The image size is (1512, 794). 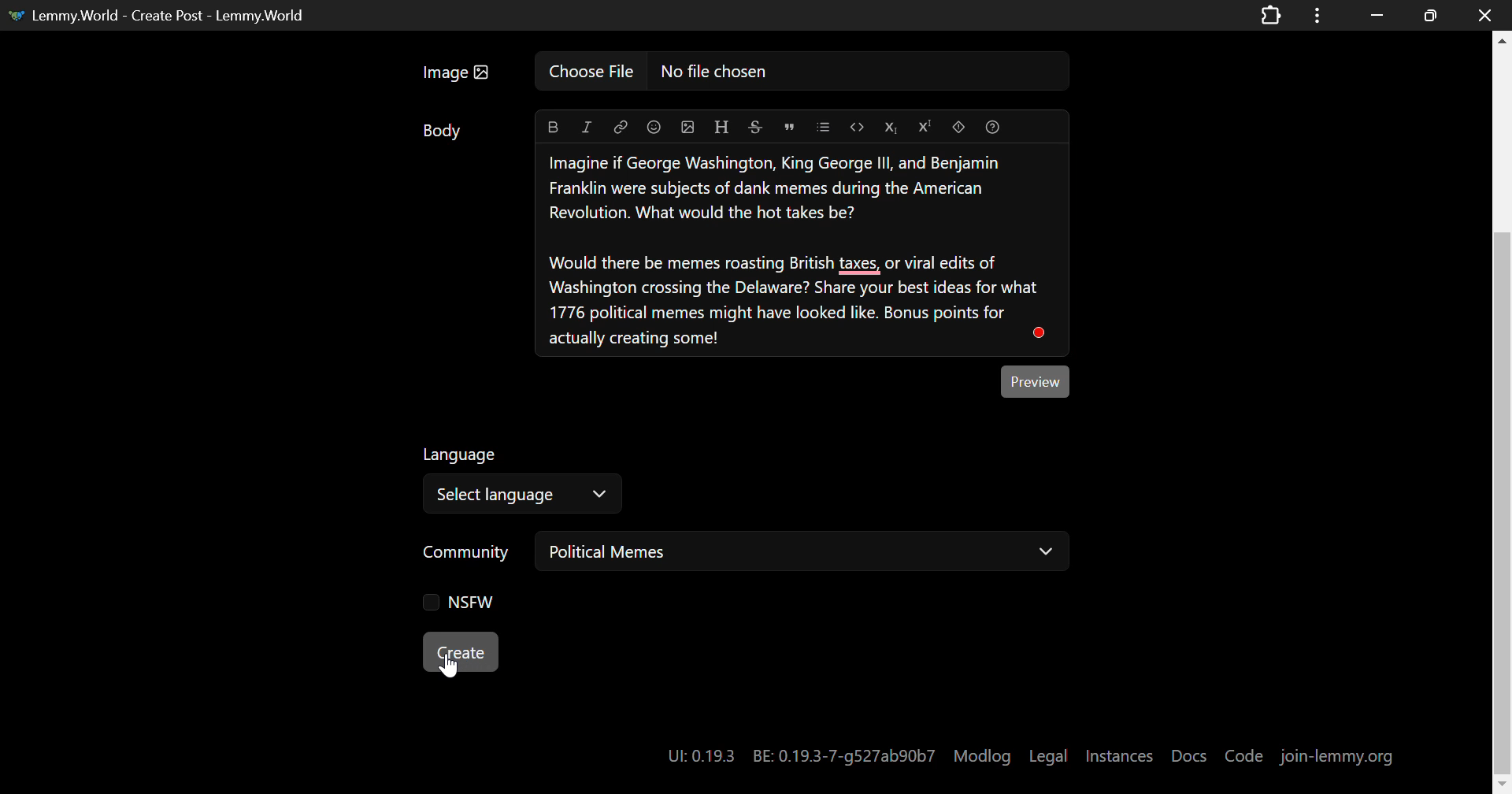 I want to click on Header, so click(x=722, y=127).